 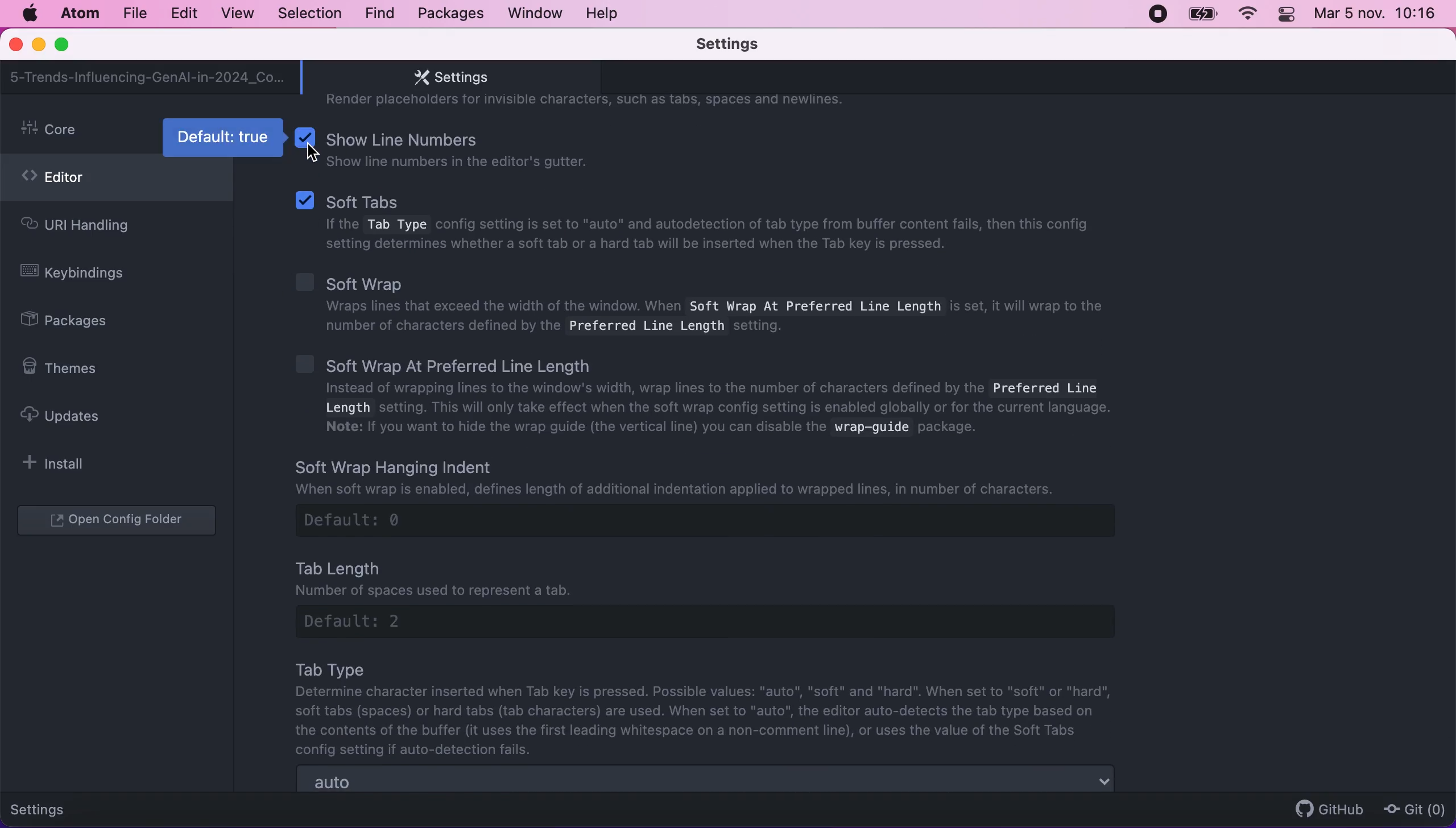 What do you see at coordinates (445, 77) in the screenshot?
I see `settings tab` at bounding box center [445, 77].